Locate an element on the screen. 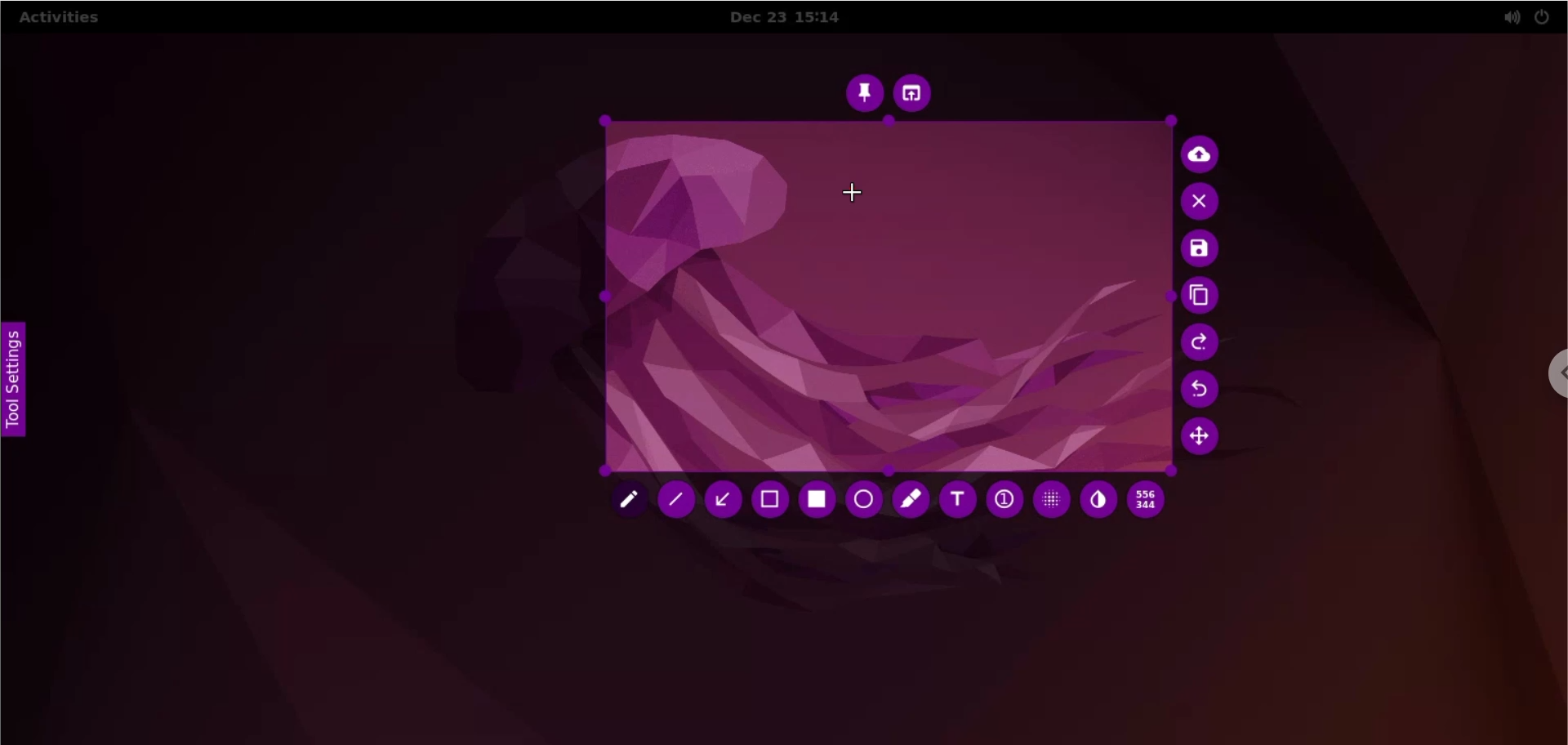 This screenshot has height=745, width=1568. selection is located at coordinates (773, 500).